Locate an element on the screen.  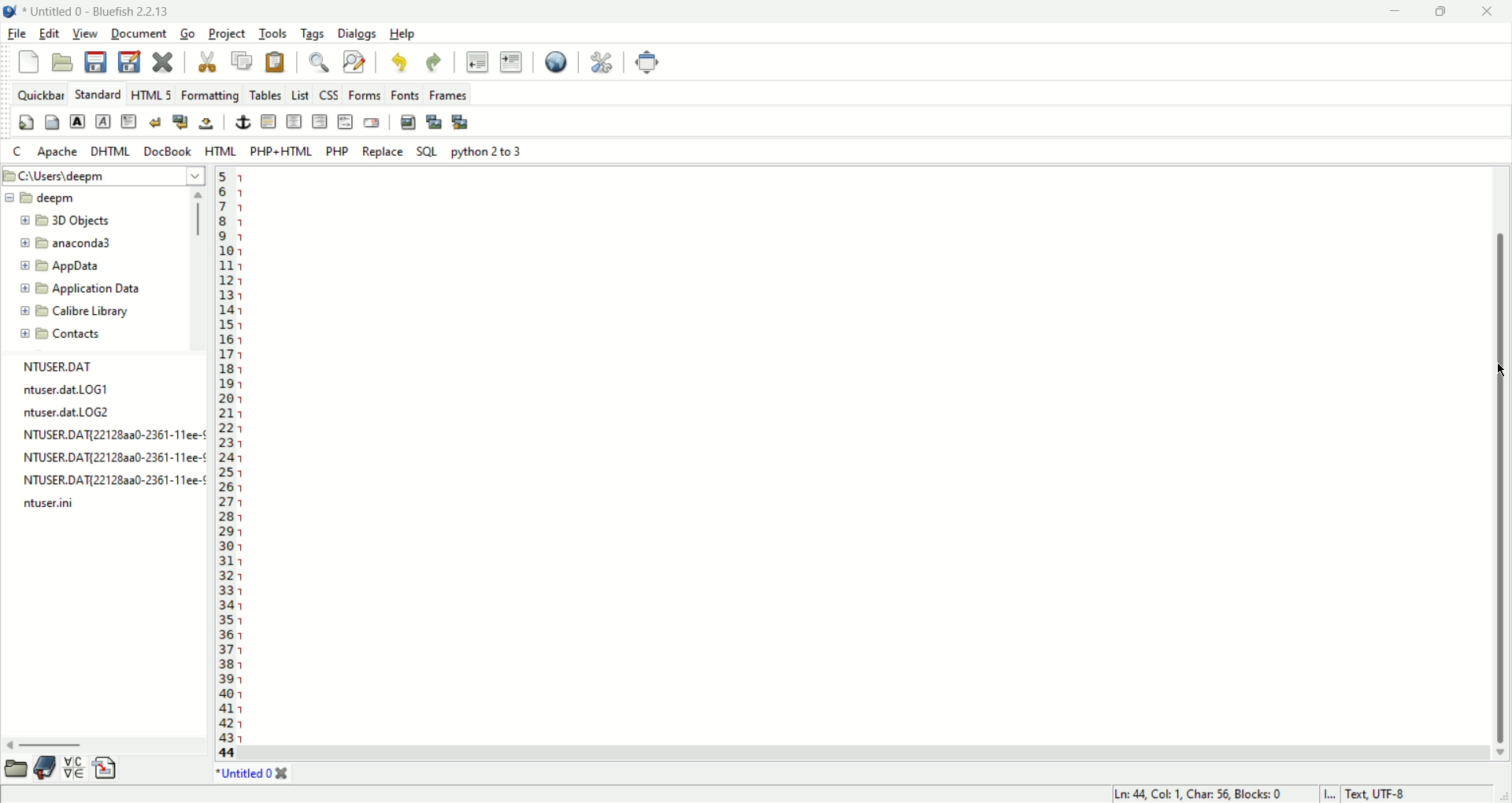
DocBook is located at coordinates (166, 150).